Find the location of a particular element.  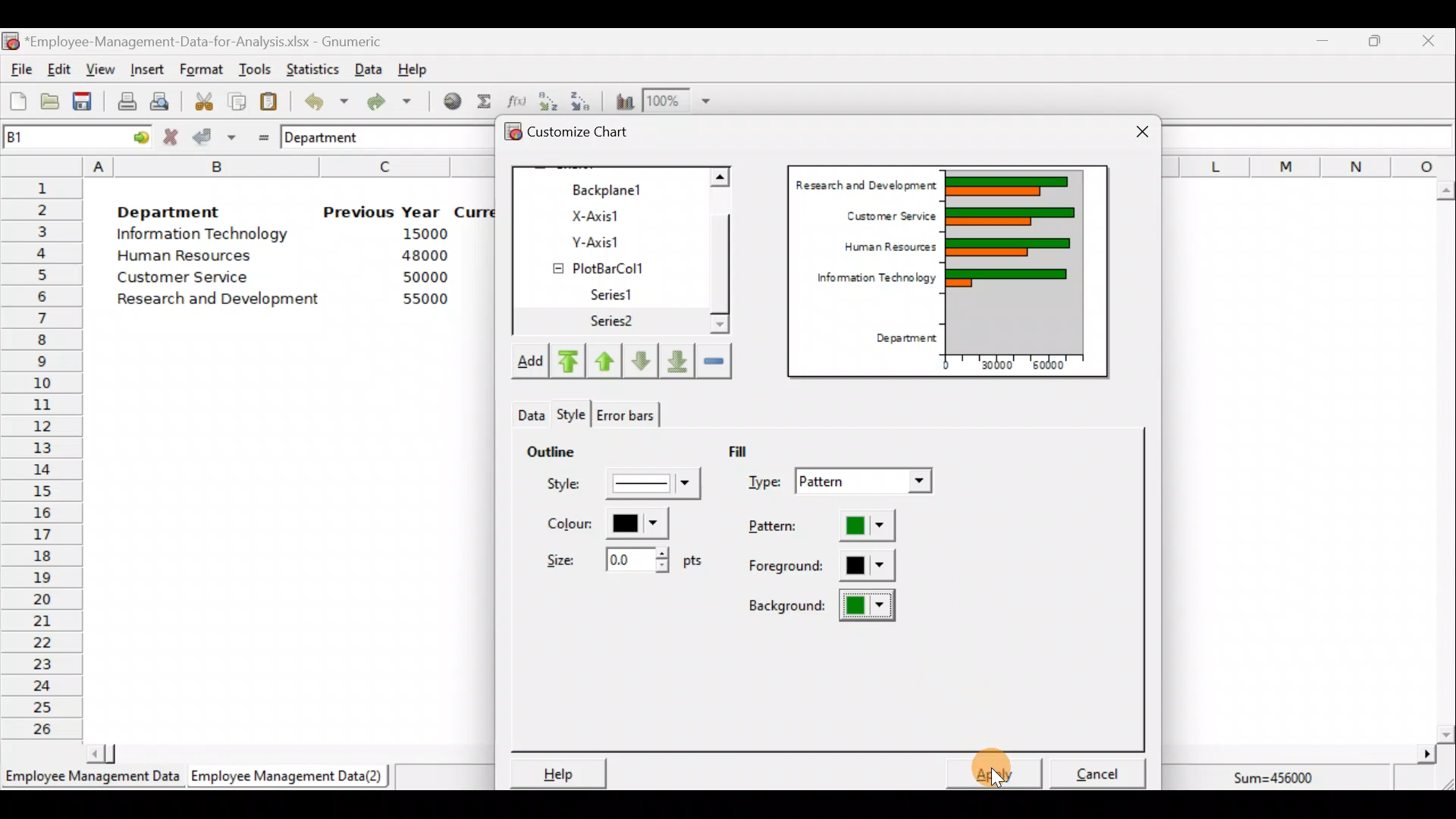

Size is located at coordinates (620, 558).